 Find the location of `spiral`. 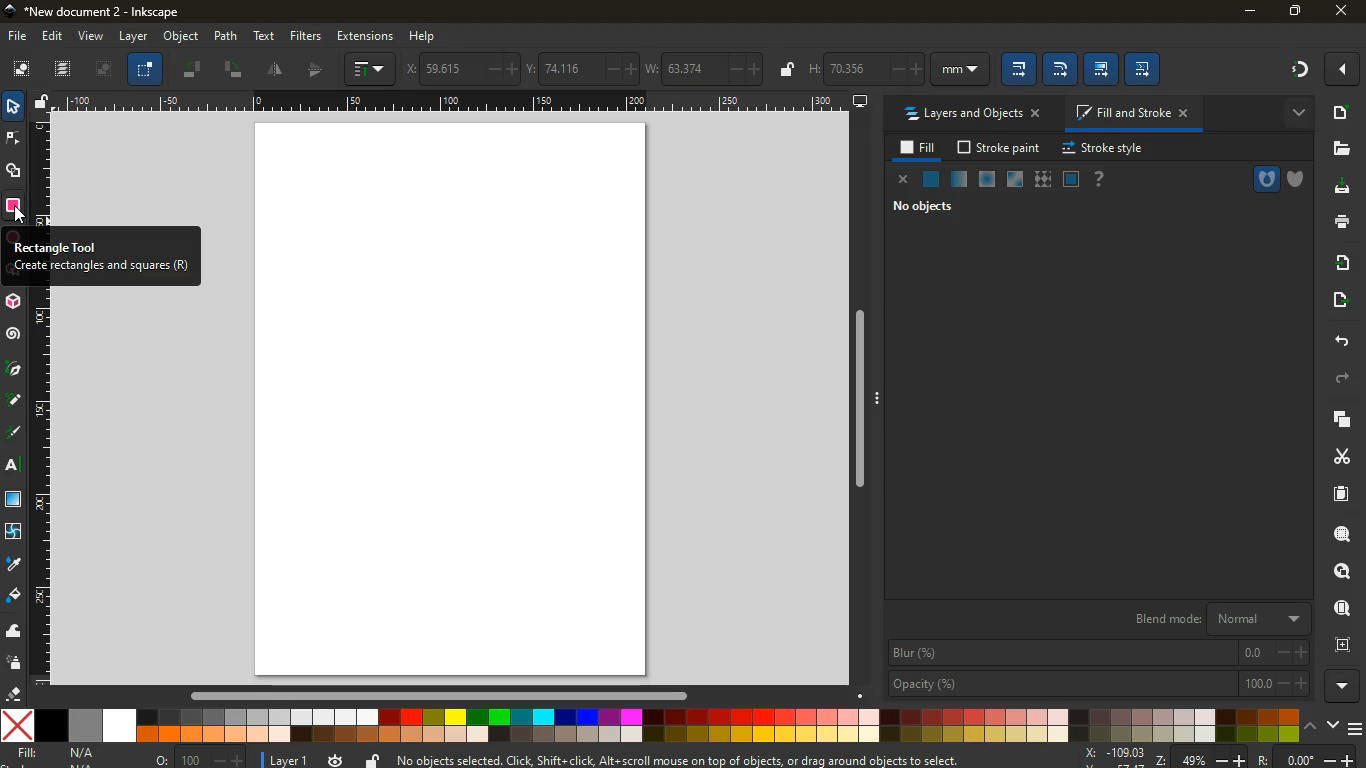

spiral is located at coordinates (14, 336).